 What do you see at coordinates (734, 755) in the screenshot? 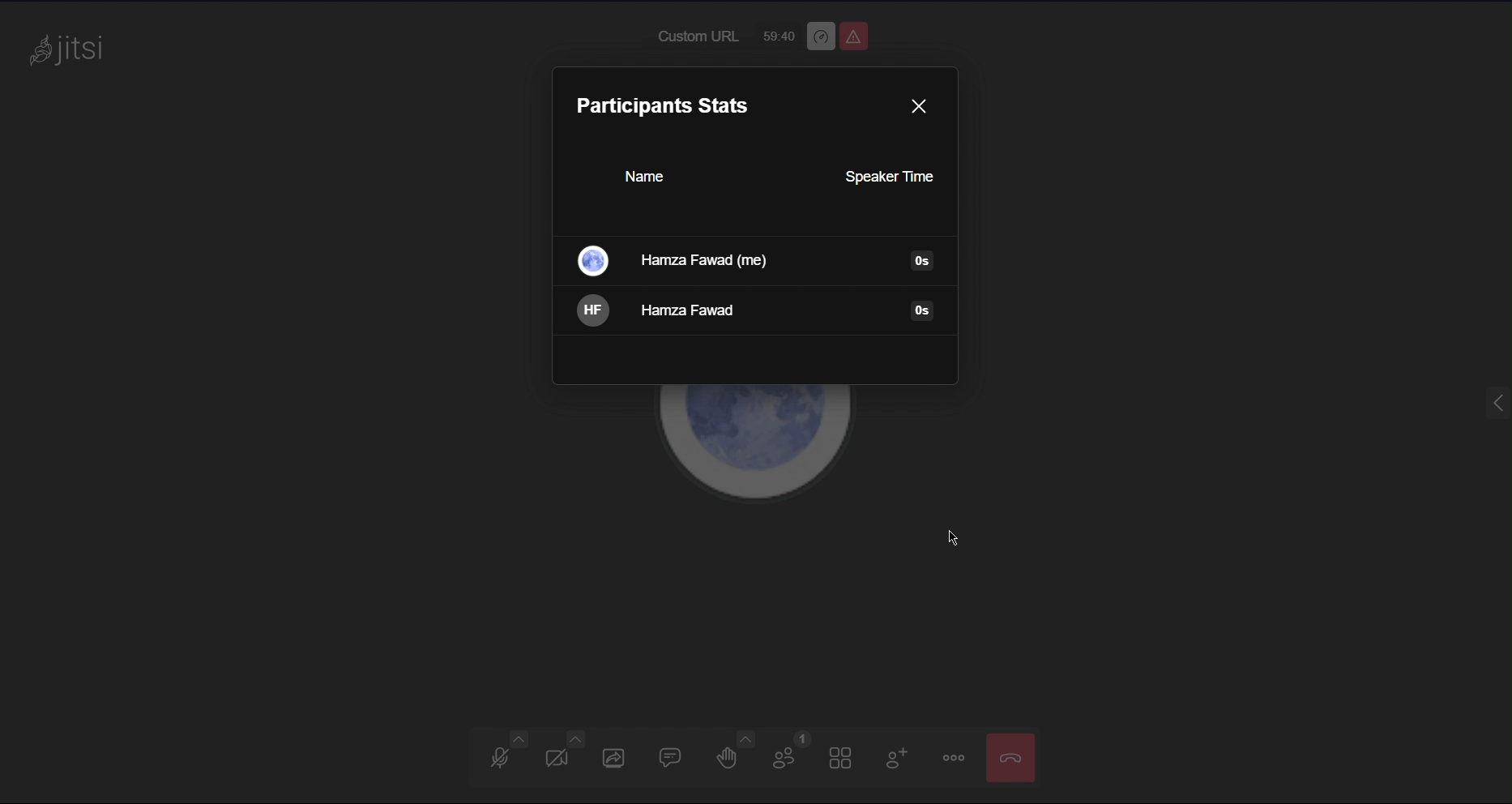
I see `Raise Hand` at bounding box center [734, 755].